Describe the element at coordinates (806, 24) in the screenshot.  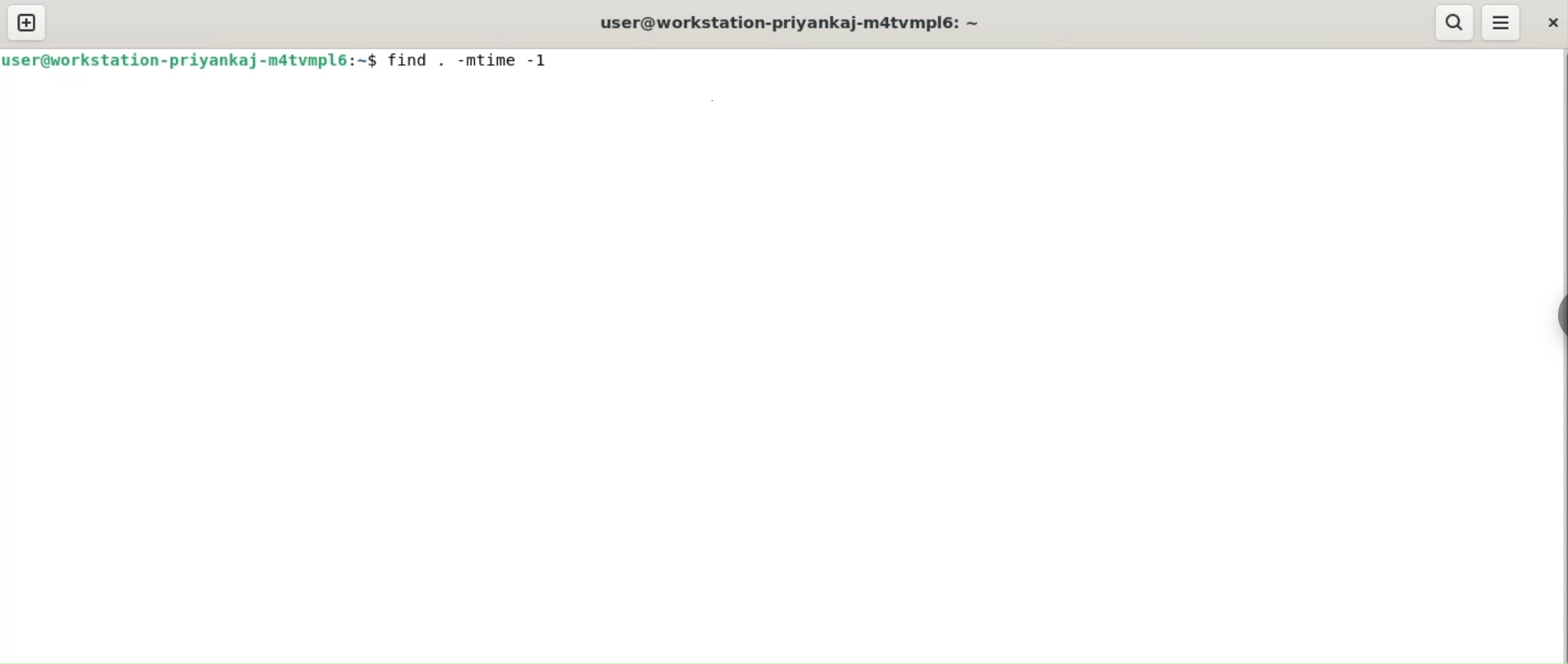
I see `user@workstation-priyankaj-m4tvmplé: ~` at that location.